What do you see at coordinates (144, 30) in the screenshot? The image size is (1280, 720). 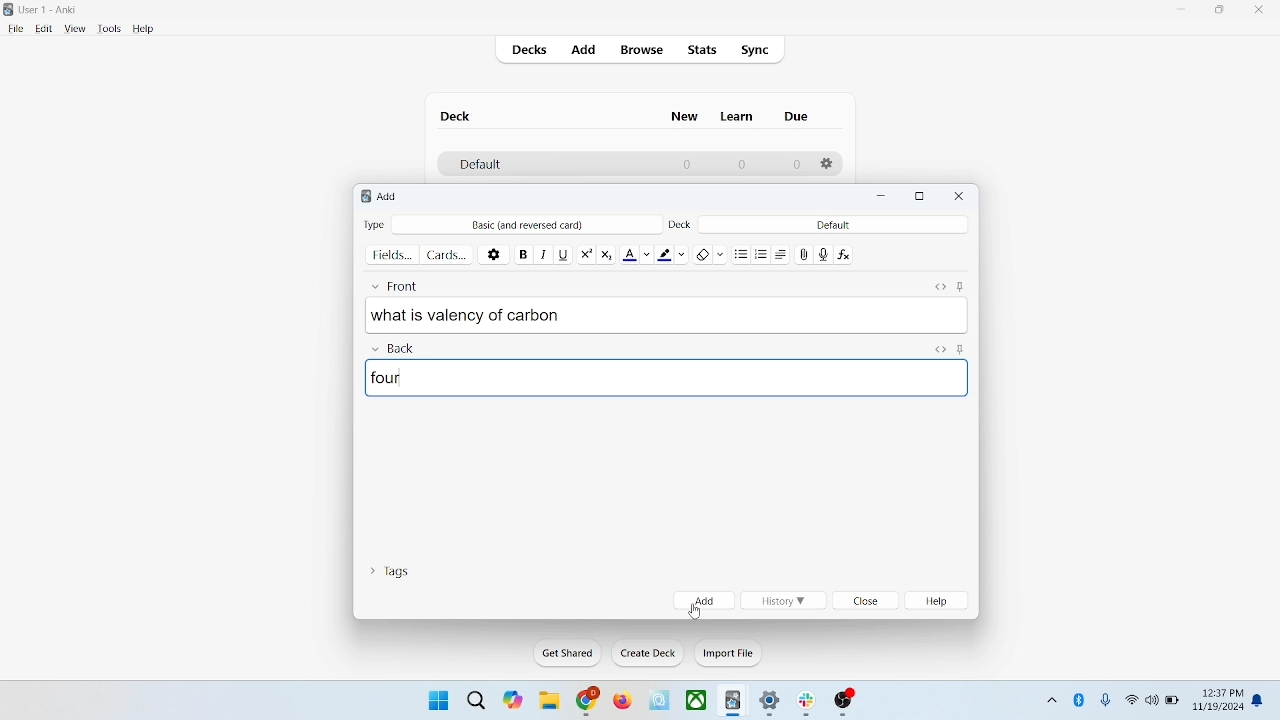 I see `help` at bounding box center [144, 30].